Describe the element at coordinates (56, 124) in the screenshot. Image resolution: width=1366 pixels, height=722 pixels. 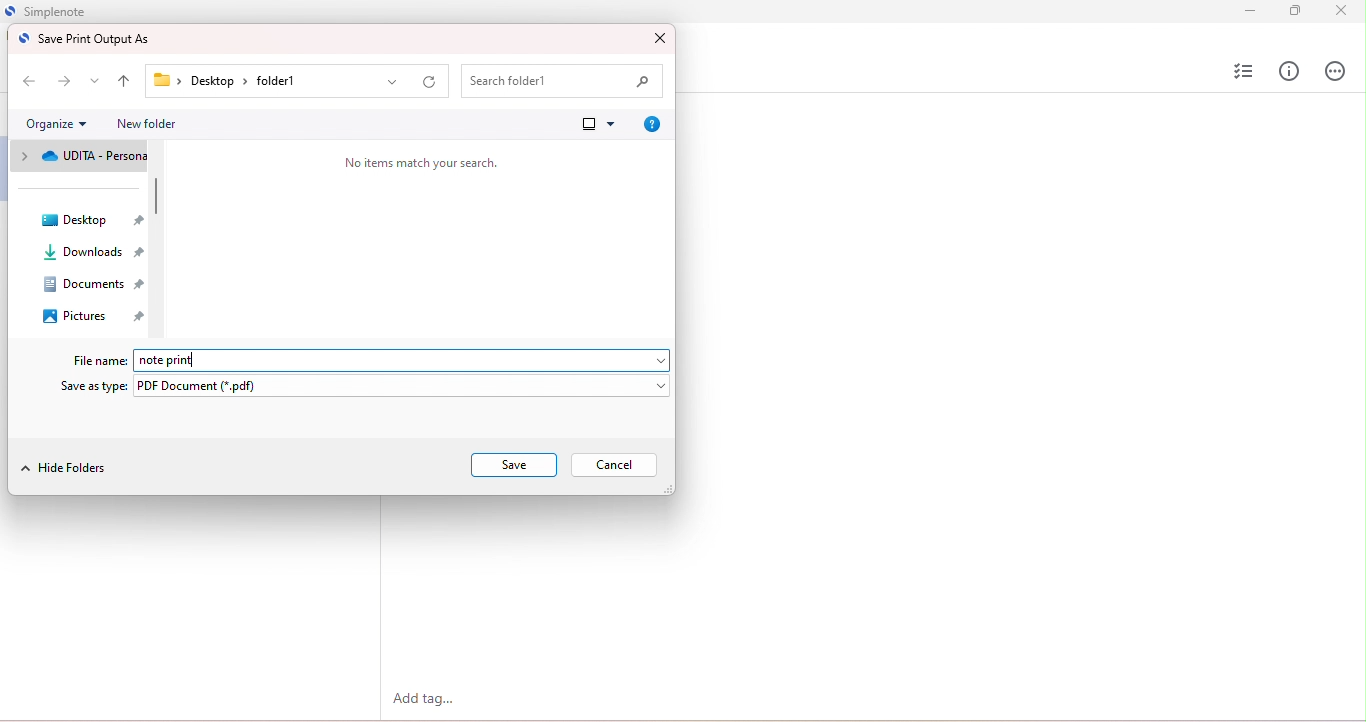
I see `organize` at that location.